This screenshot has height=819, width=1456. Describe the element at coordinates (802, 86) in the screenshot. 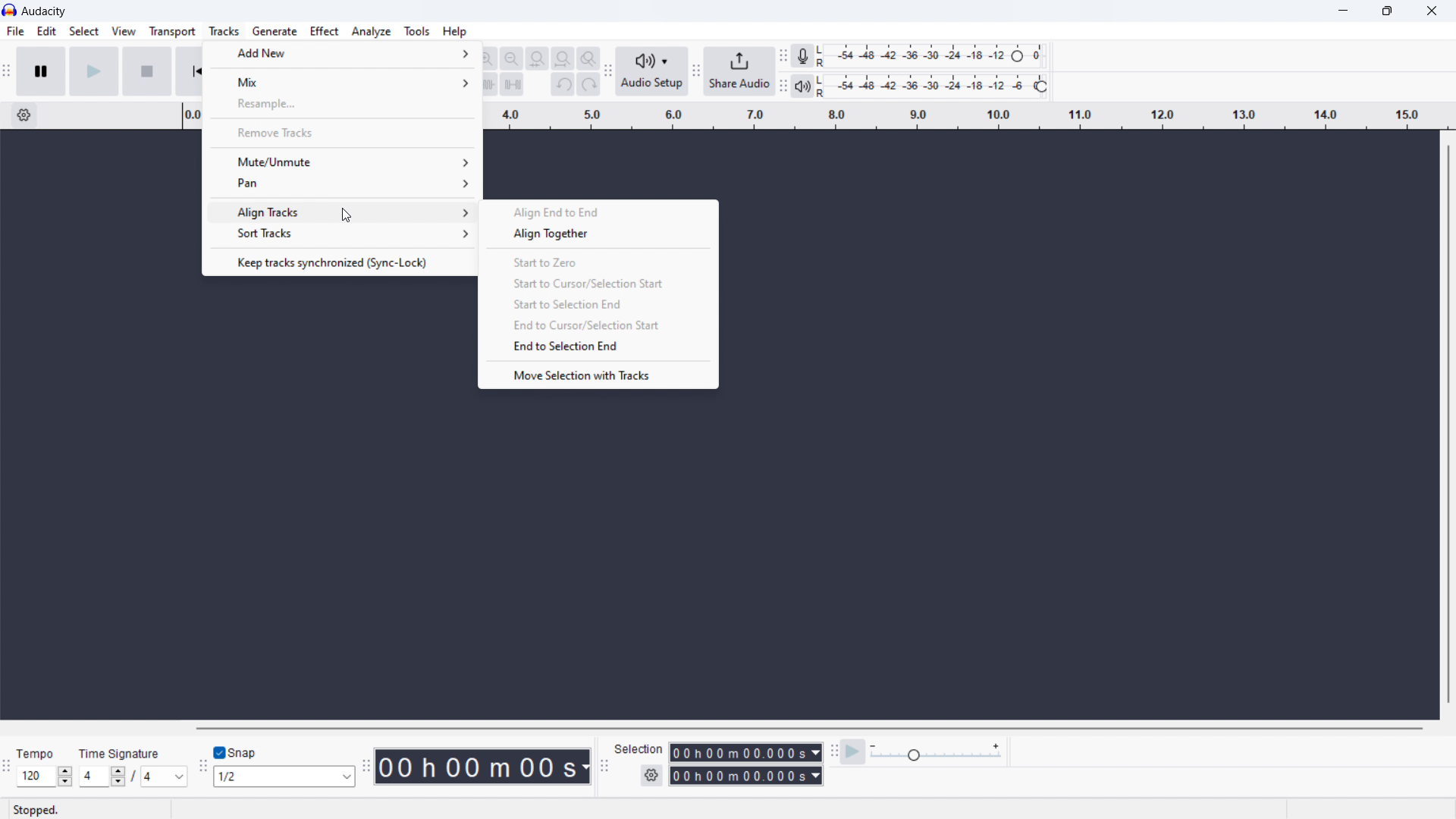

I see `playback meter` at that location.